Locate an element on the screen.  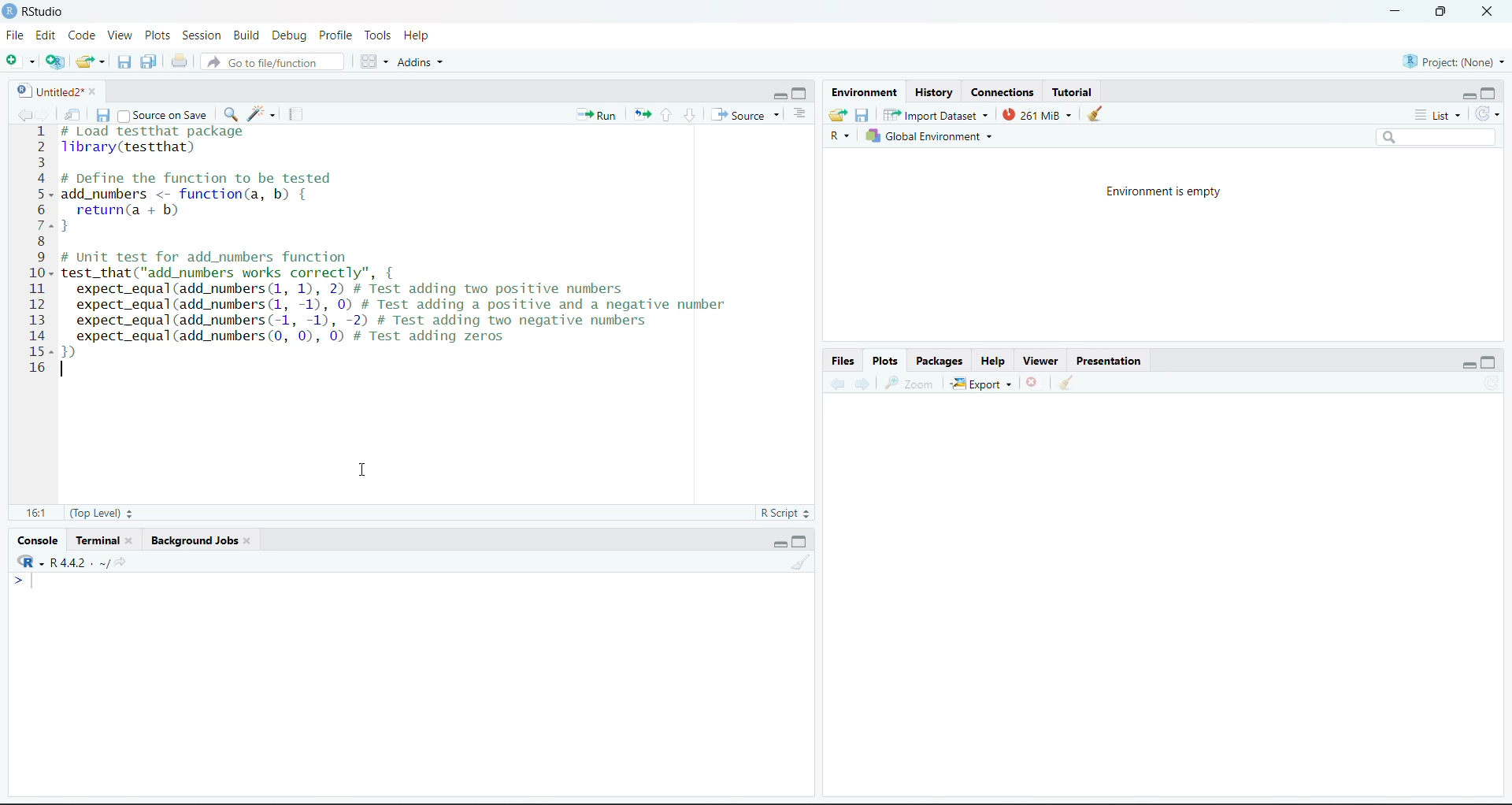
library(testthat) is located at coordinates (128, 147).